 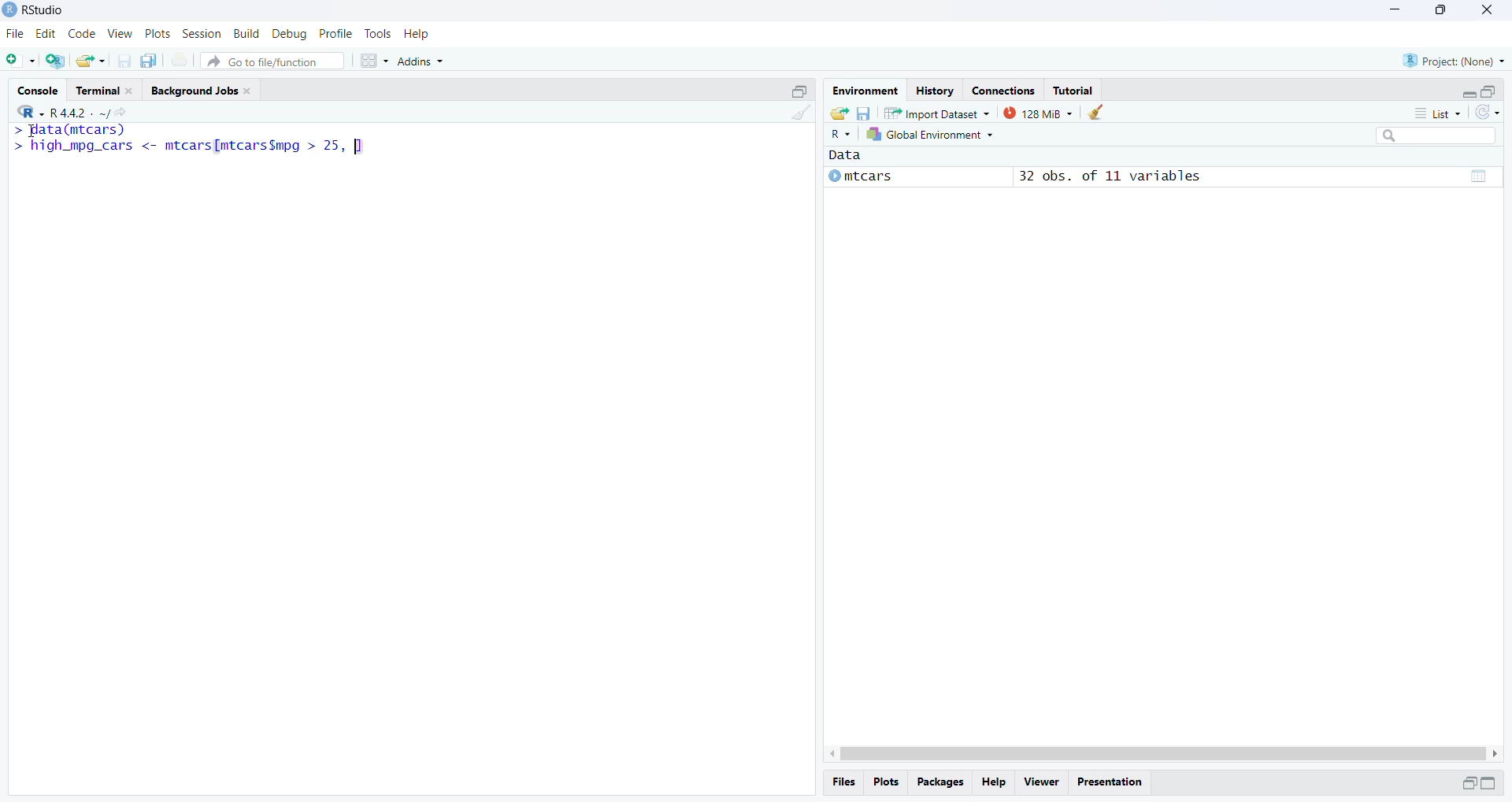 What do you see at coordinates (1436, 136) in the screenshot?
I see `search` at bounding box center [1436, 136].